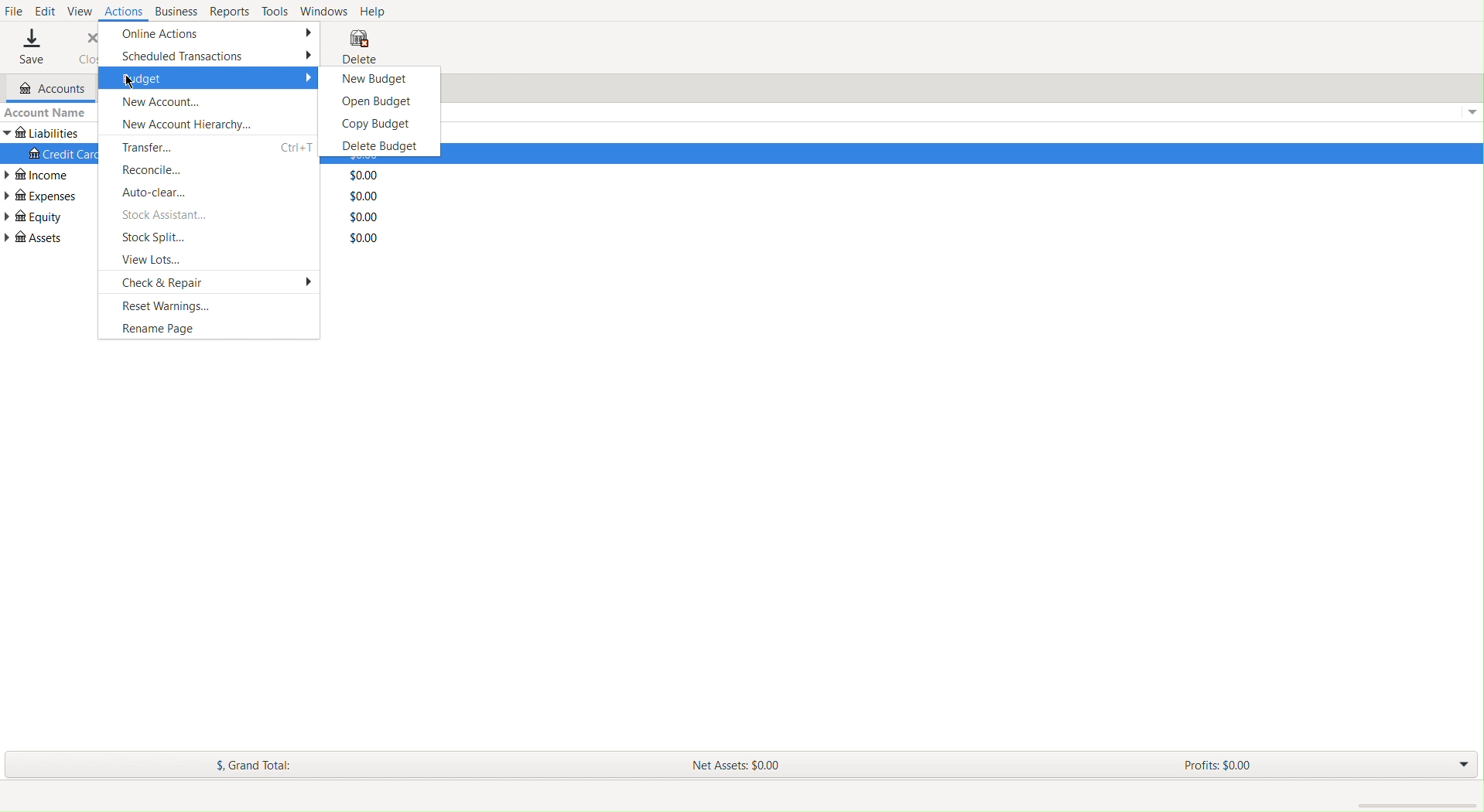 Image resolution: width=1484 pixels, height=812 pixels. Describe the element at coordinates (364, 216) in the screenshot. I see `Total` at that location.